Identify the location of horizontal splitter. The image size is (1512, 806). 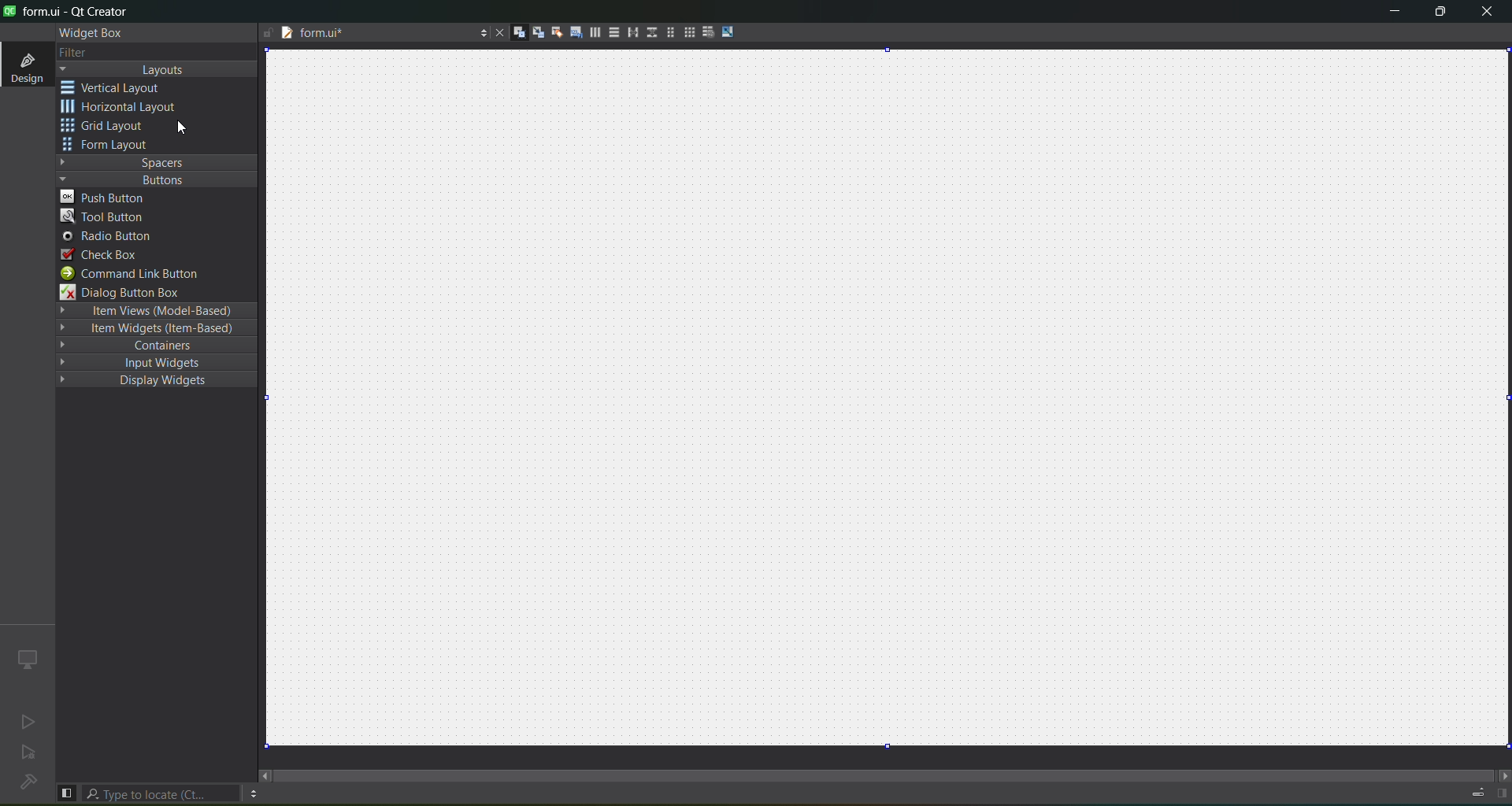
(630, 35).